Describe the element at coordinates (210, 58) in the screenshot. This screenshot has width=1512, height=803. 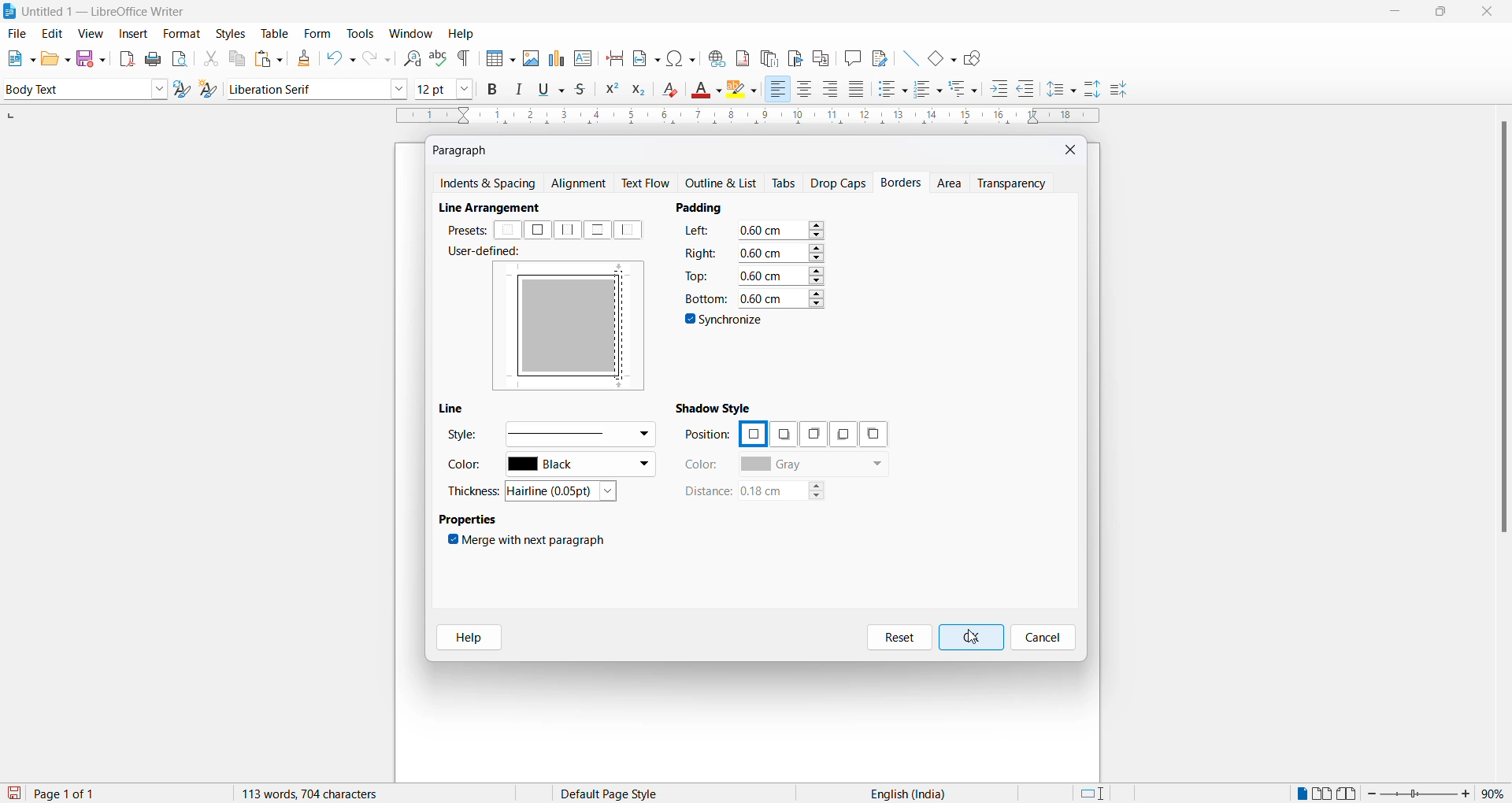
I see `cut` at that location.